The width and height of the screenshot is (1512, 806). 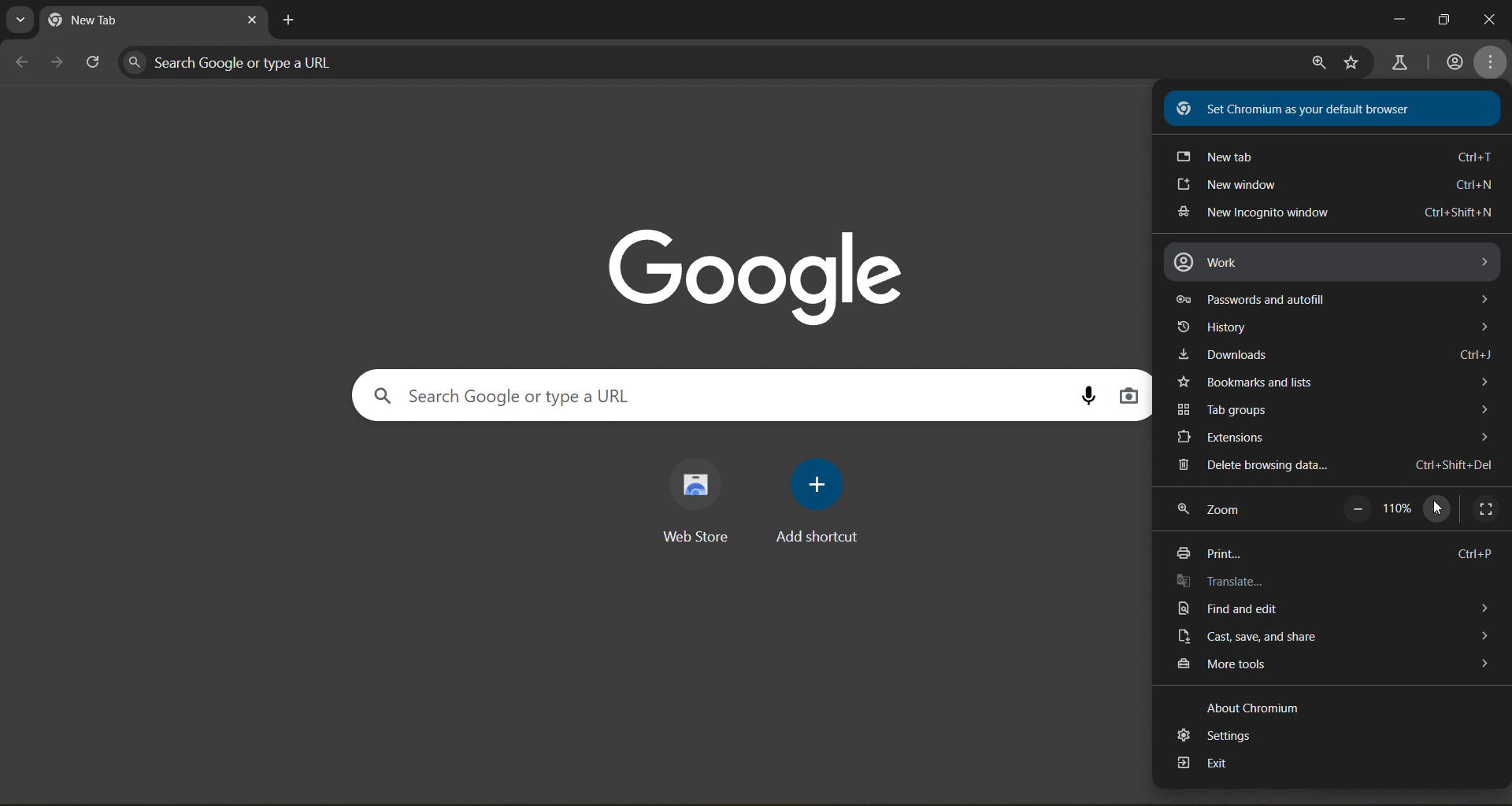 What do you see at coordinates (1331, 156) in the screenshot?
I see `new tab` at bounding box center [1331, 156].